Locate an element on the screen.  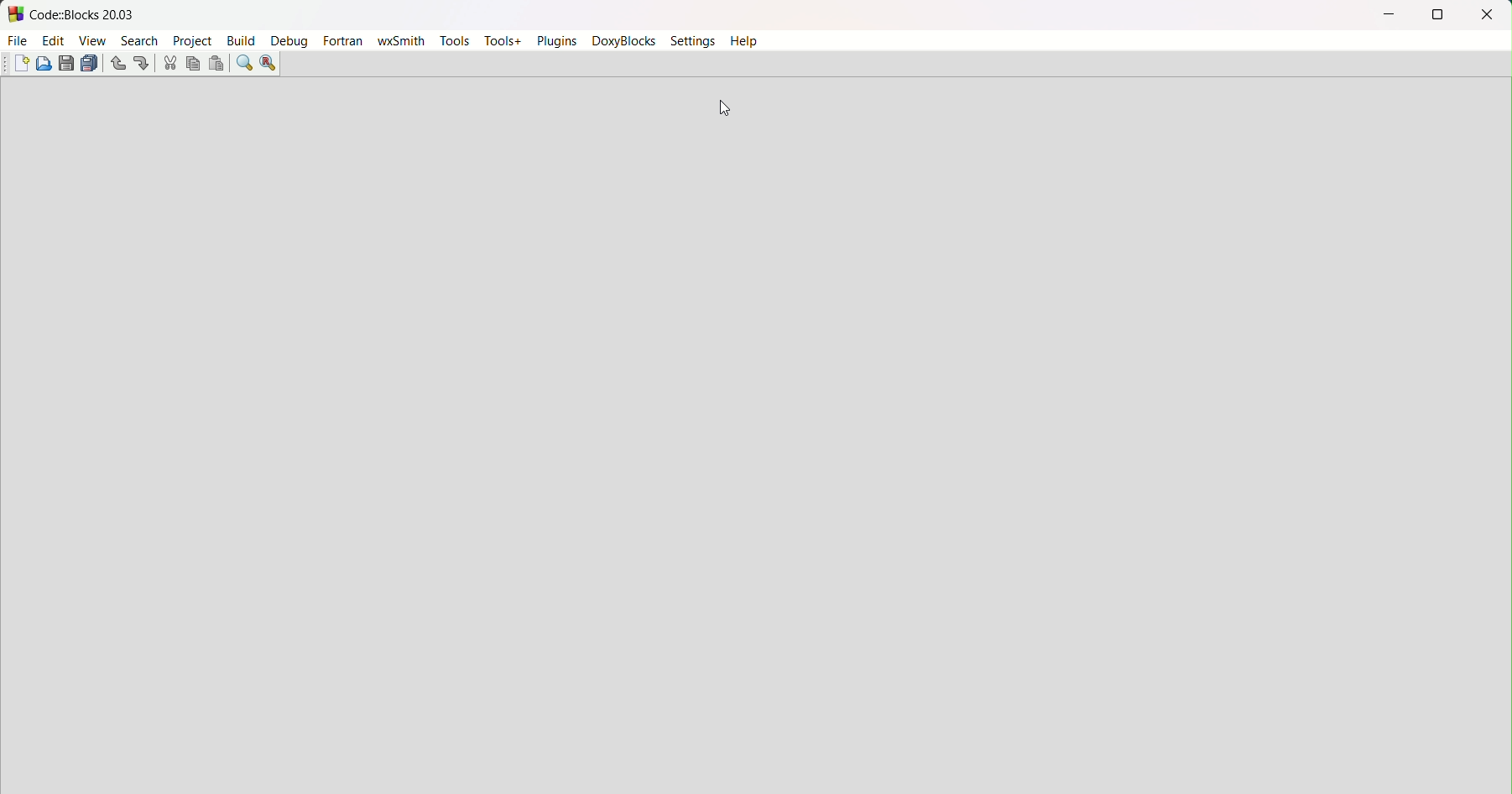
copy is located at coordinates (192, 63).